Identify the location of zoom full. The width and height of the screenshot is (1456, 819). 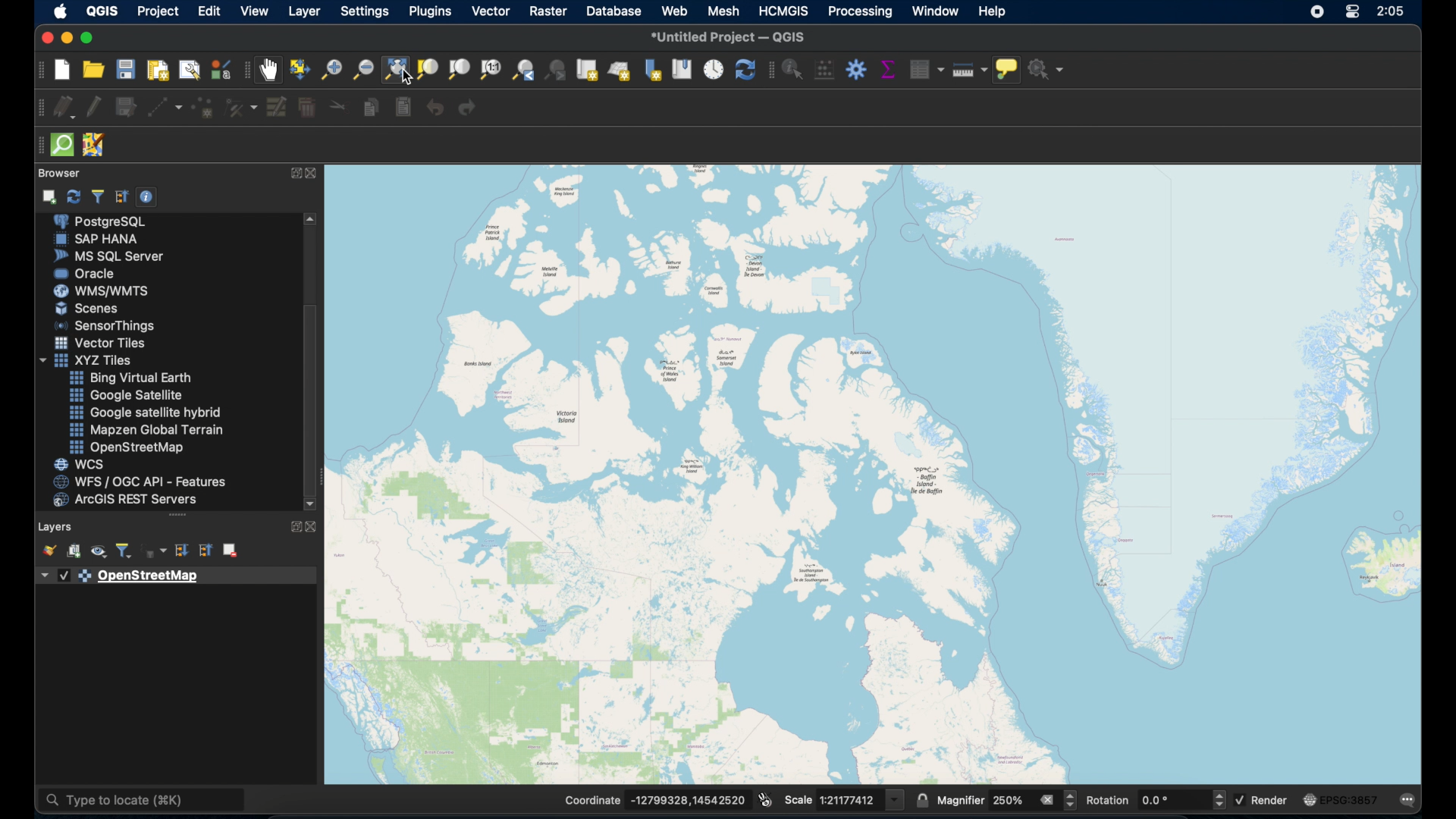
(394, 69).